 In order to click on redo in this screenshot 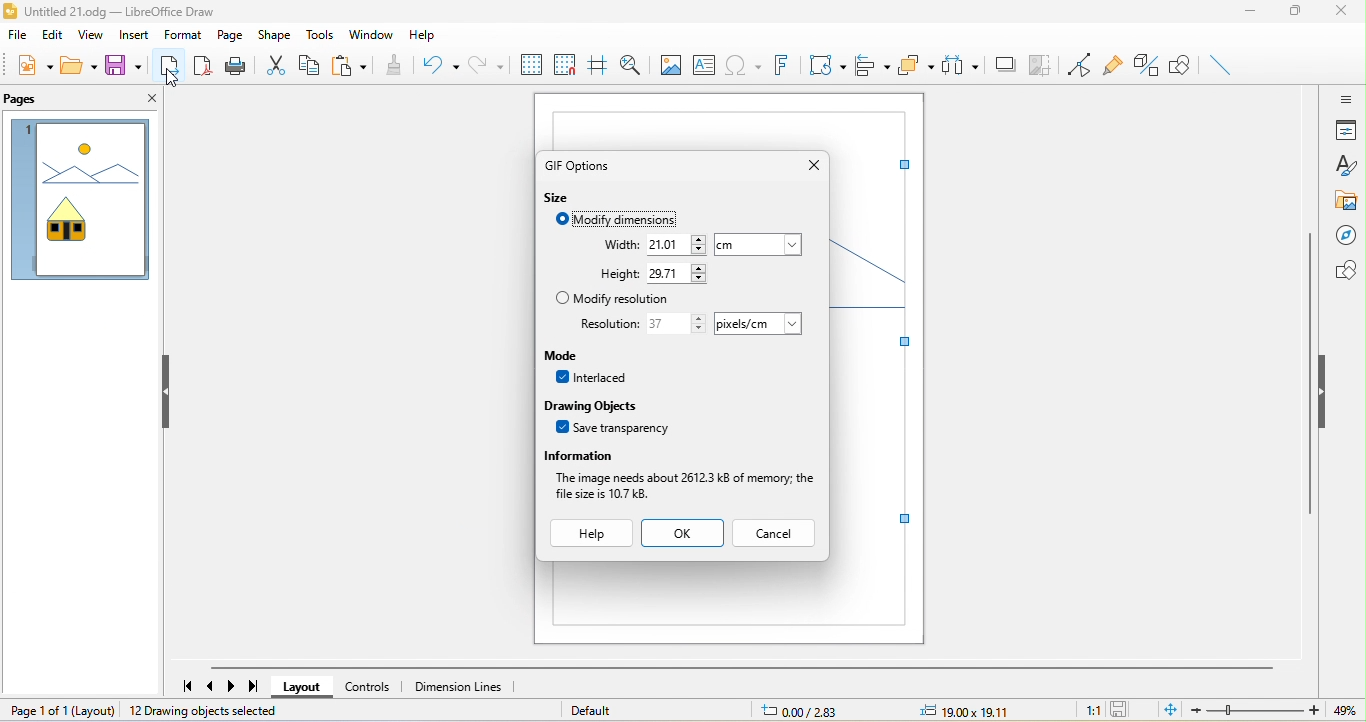, I will do `click(487, 65)`.